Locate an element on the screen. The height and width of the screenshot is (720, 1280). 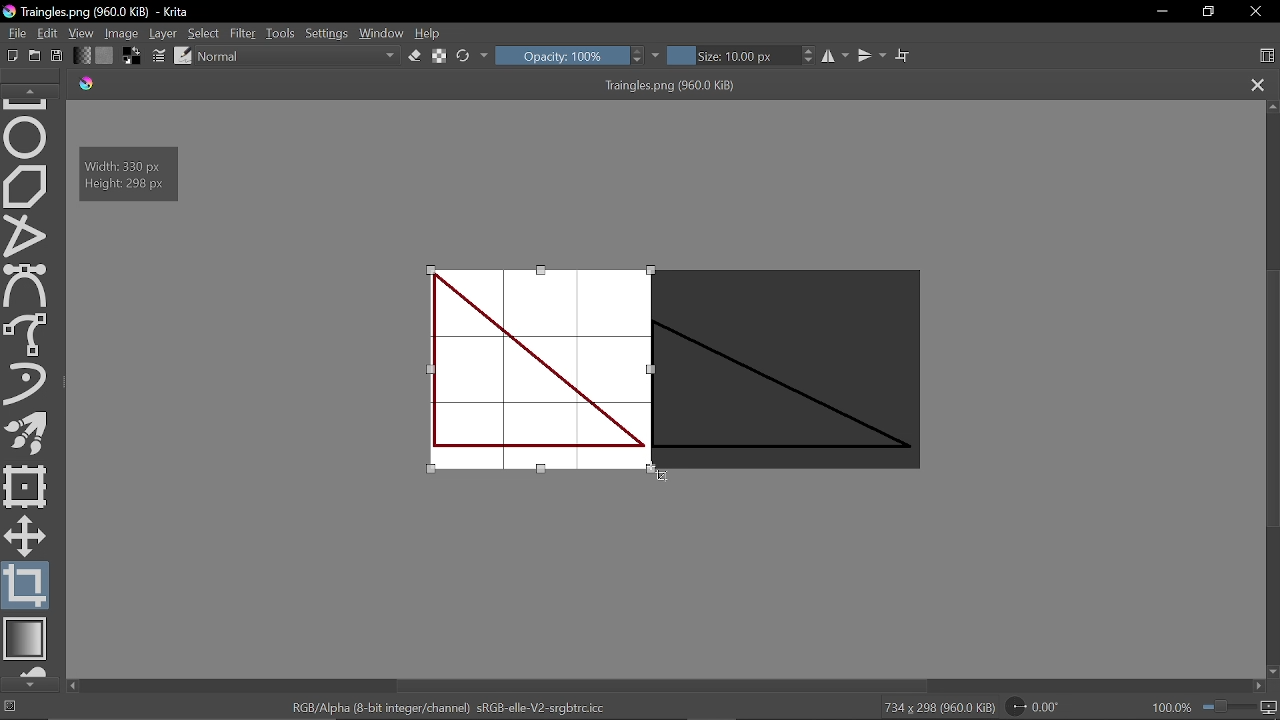
Save is located at coordinates (58, 56).